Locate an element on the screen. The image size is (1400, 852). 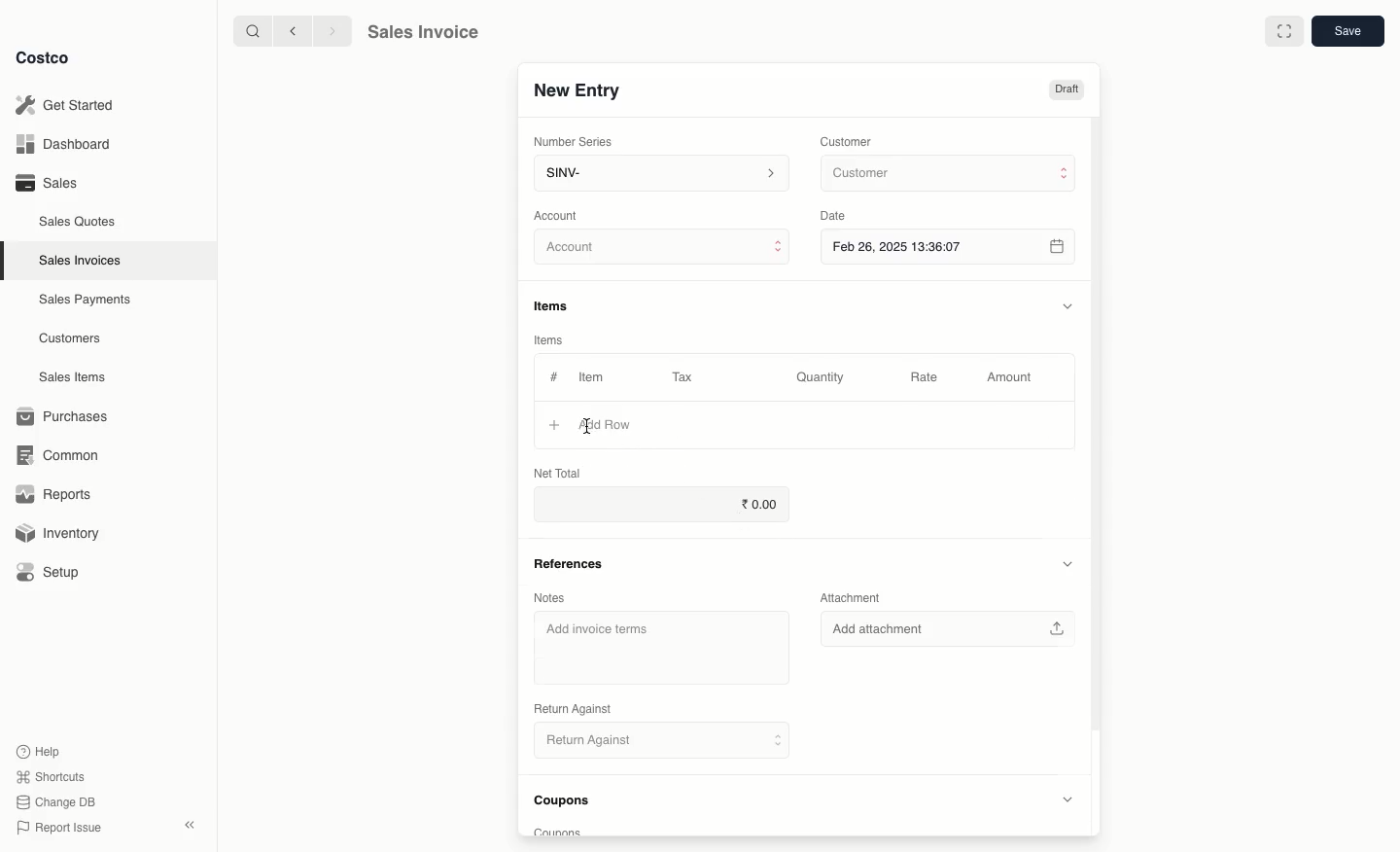
Hide is located at coordinates (1067, 305).